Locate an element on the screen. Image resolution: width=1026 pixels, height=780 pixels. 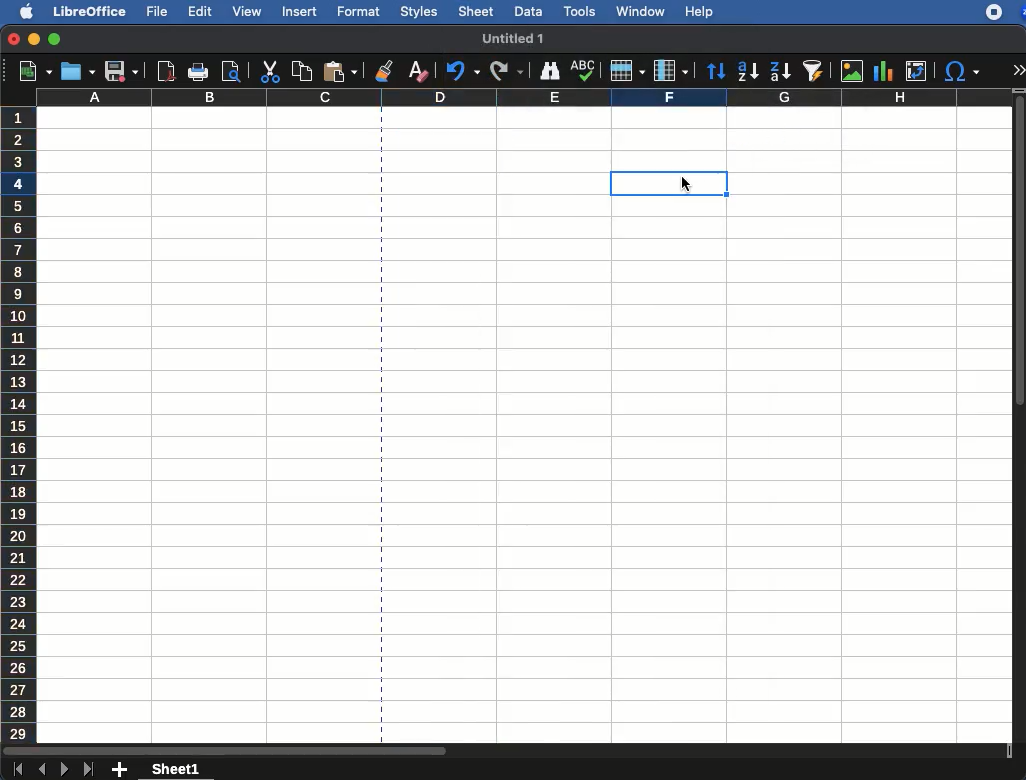
column is located at coordinates (673, 70).